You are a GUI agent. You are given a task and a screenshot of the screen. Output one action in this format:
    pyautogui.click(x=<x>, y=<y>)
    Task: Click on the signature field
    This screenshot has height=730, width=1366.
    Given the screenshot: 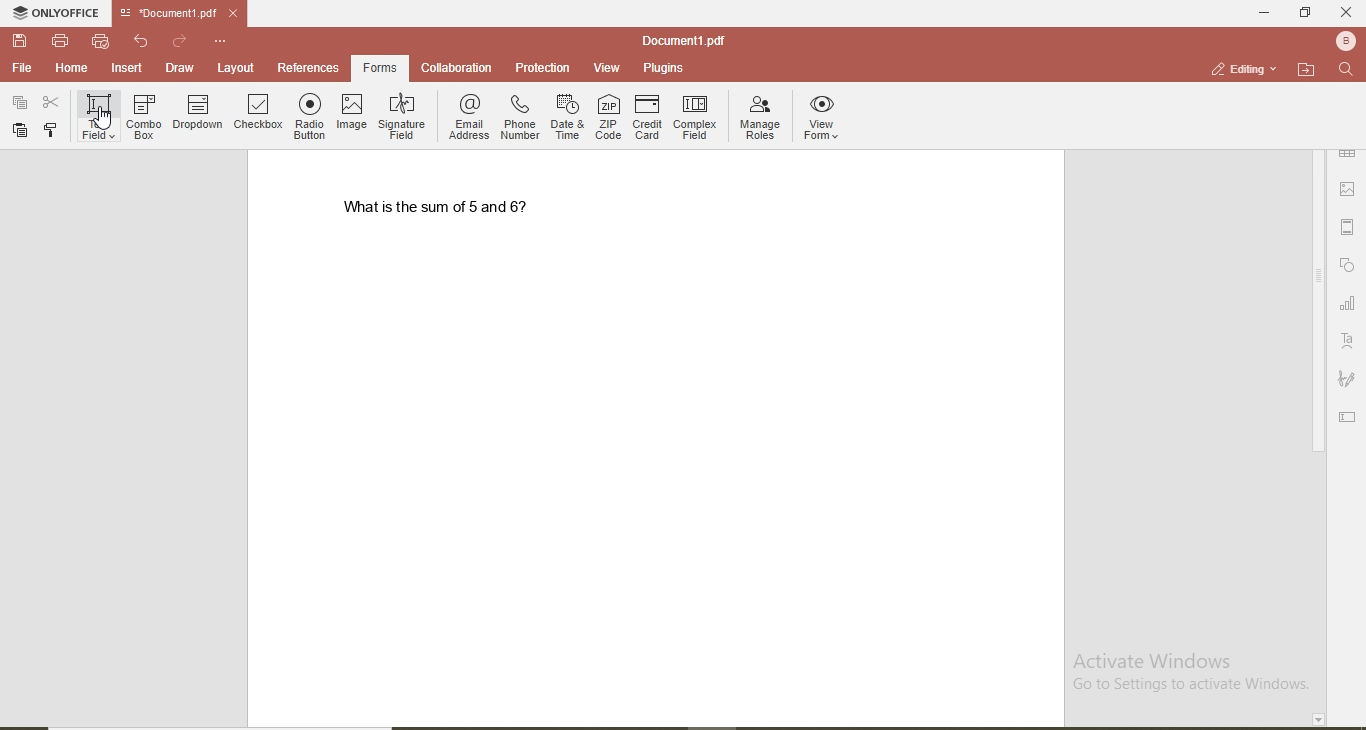 What is the action you would take?
    pyautogui.click(x=404, y=116)
    